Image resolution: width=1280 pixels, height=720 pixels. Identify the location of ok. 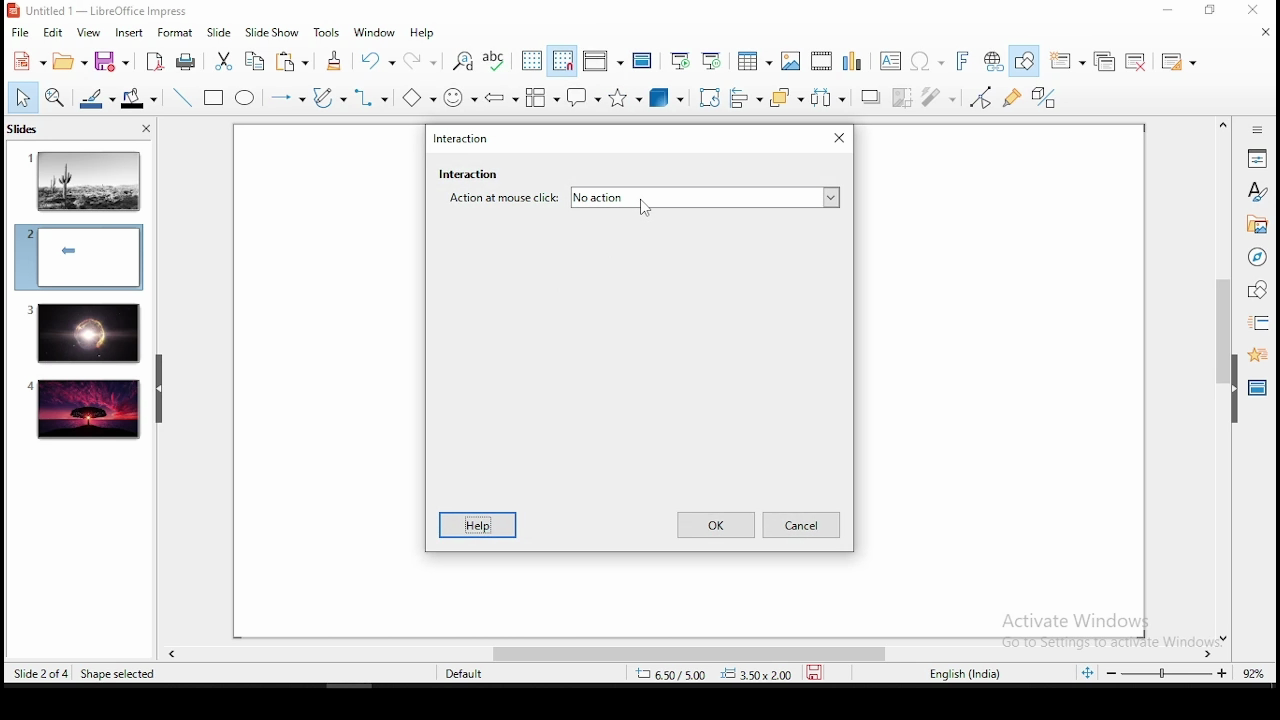
(718, 524).